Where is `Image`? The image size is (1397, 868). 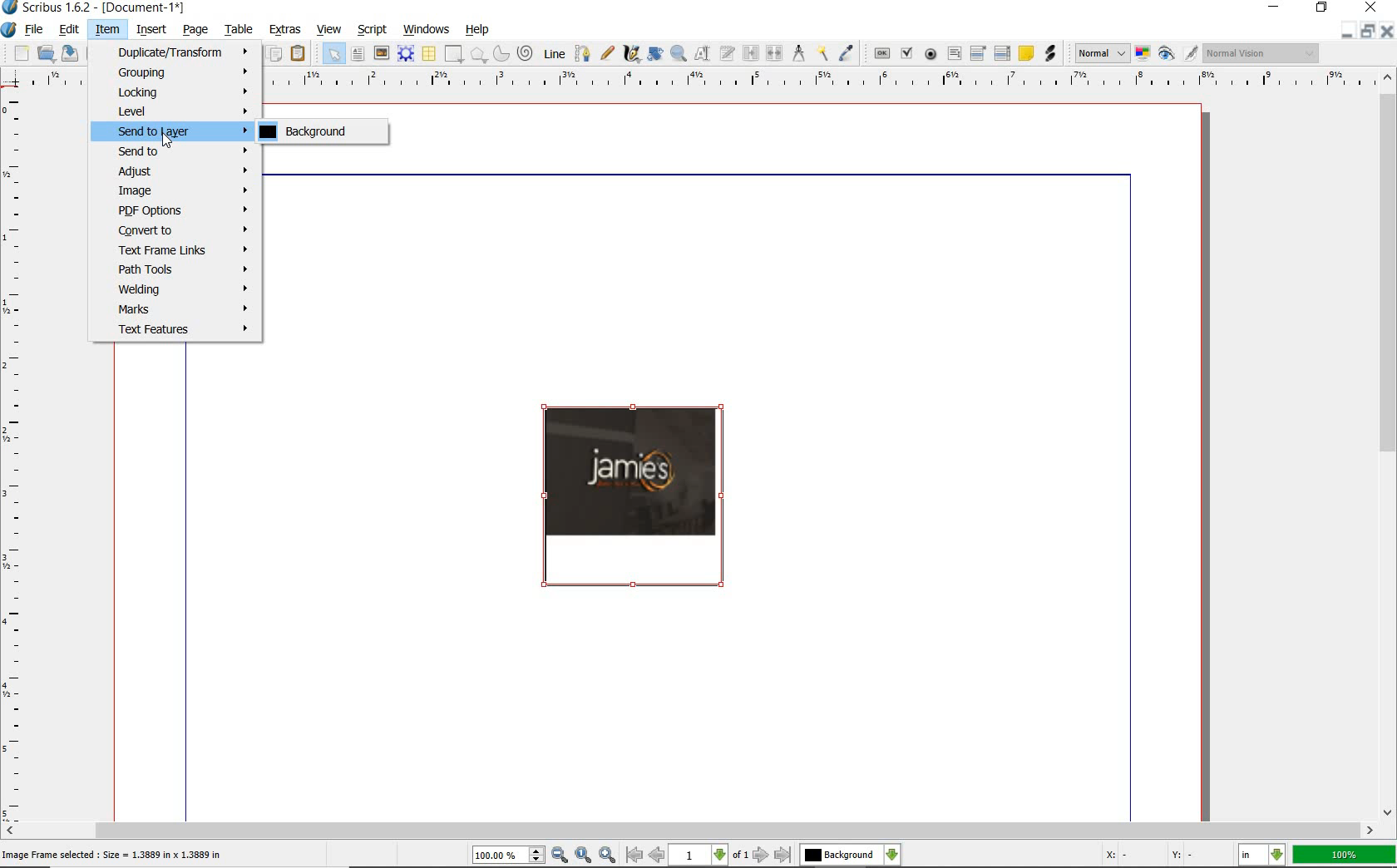
Image is located at coordinates (175, 190).